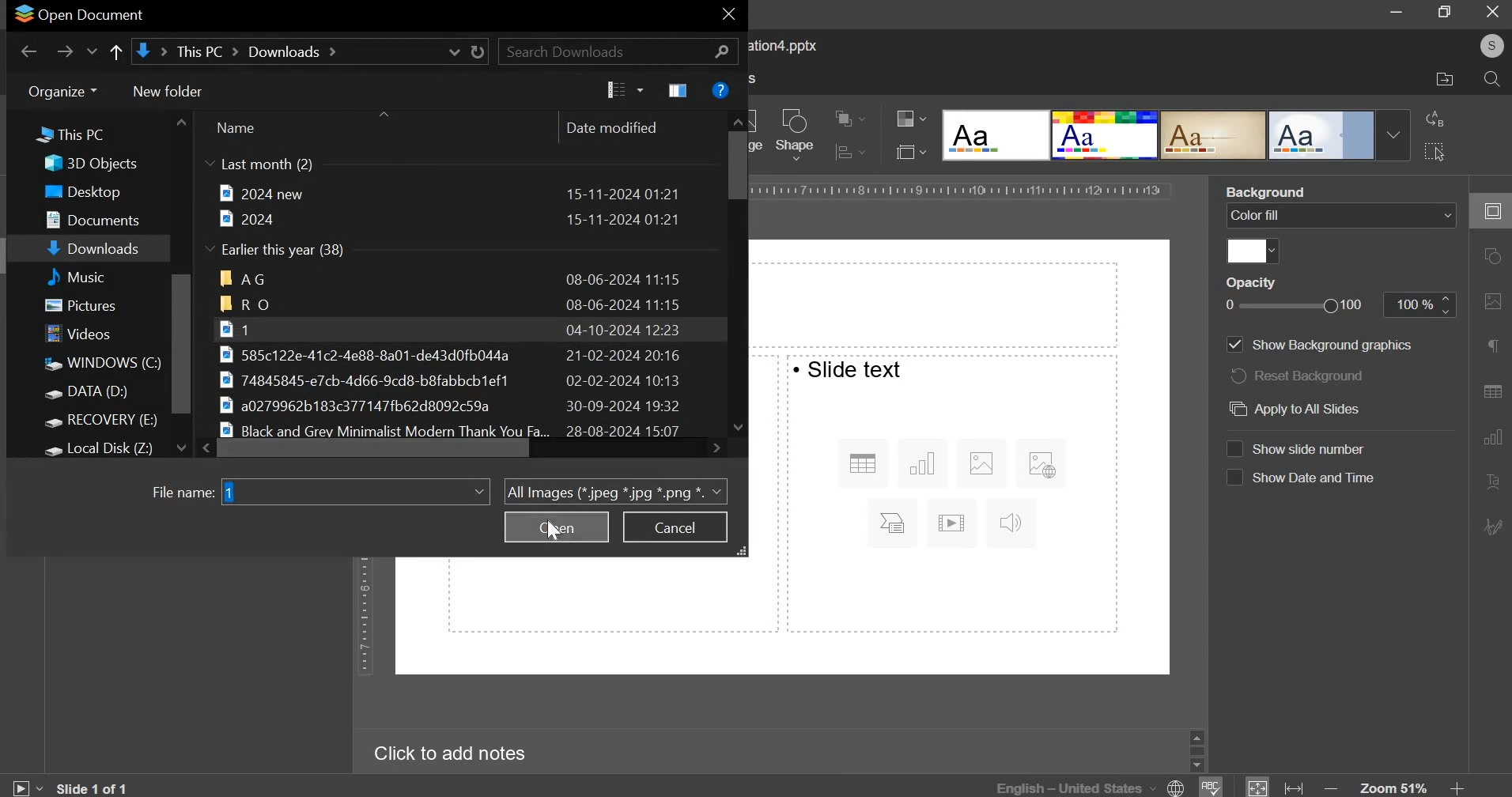 The height and width of the screenshot is (797, 1512). Describe the element at coordinates (1234, 345) in the screenshot. I see `show background graphics` at that location.